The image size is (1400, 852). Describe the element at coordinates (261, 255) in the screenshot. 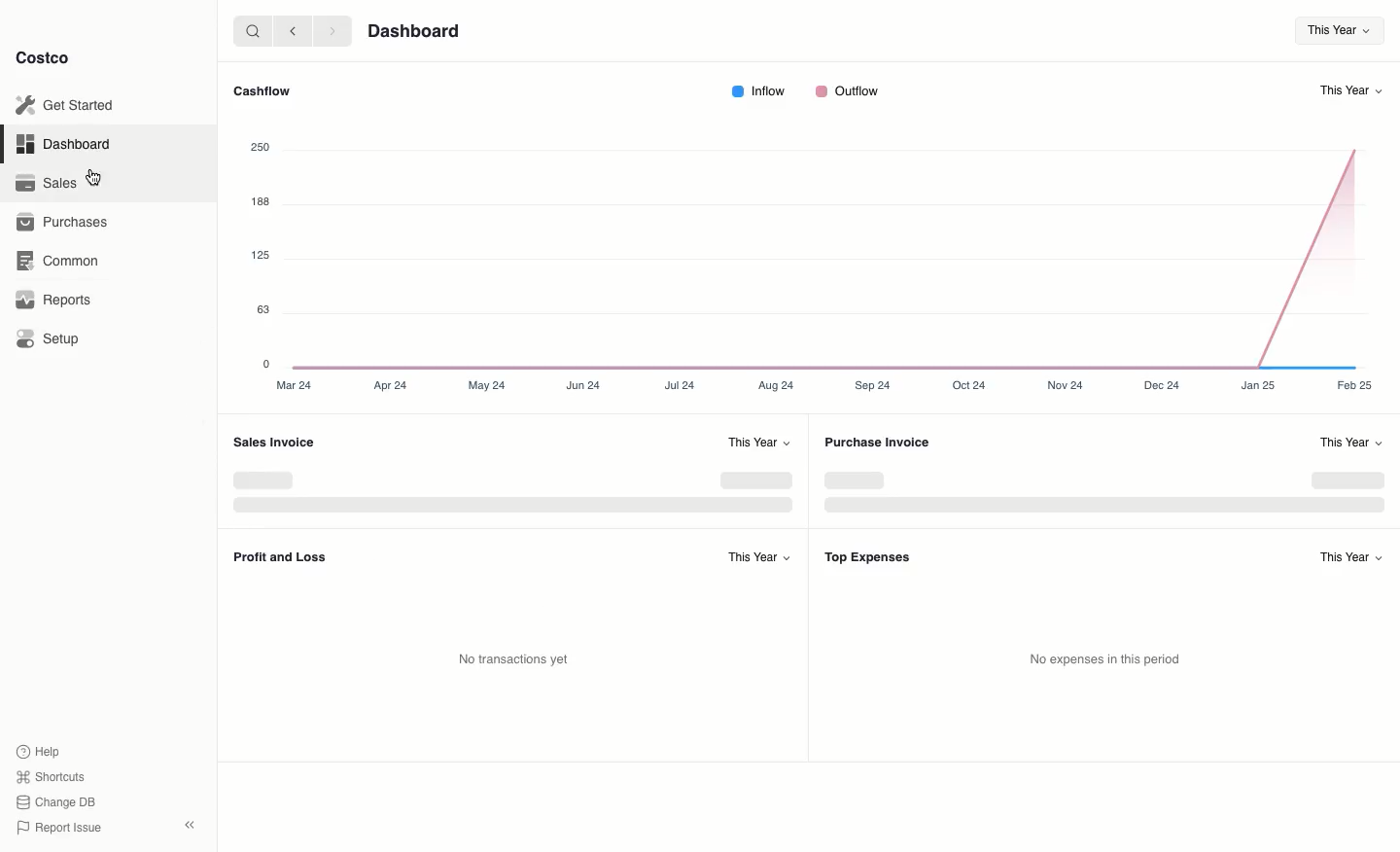

I see `125` at that location.